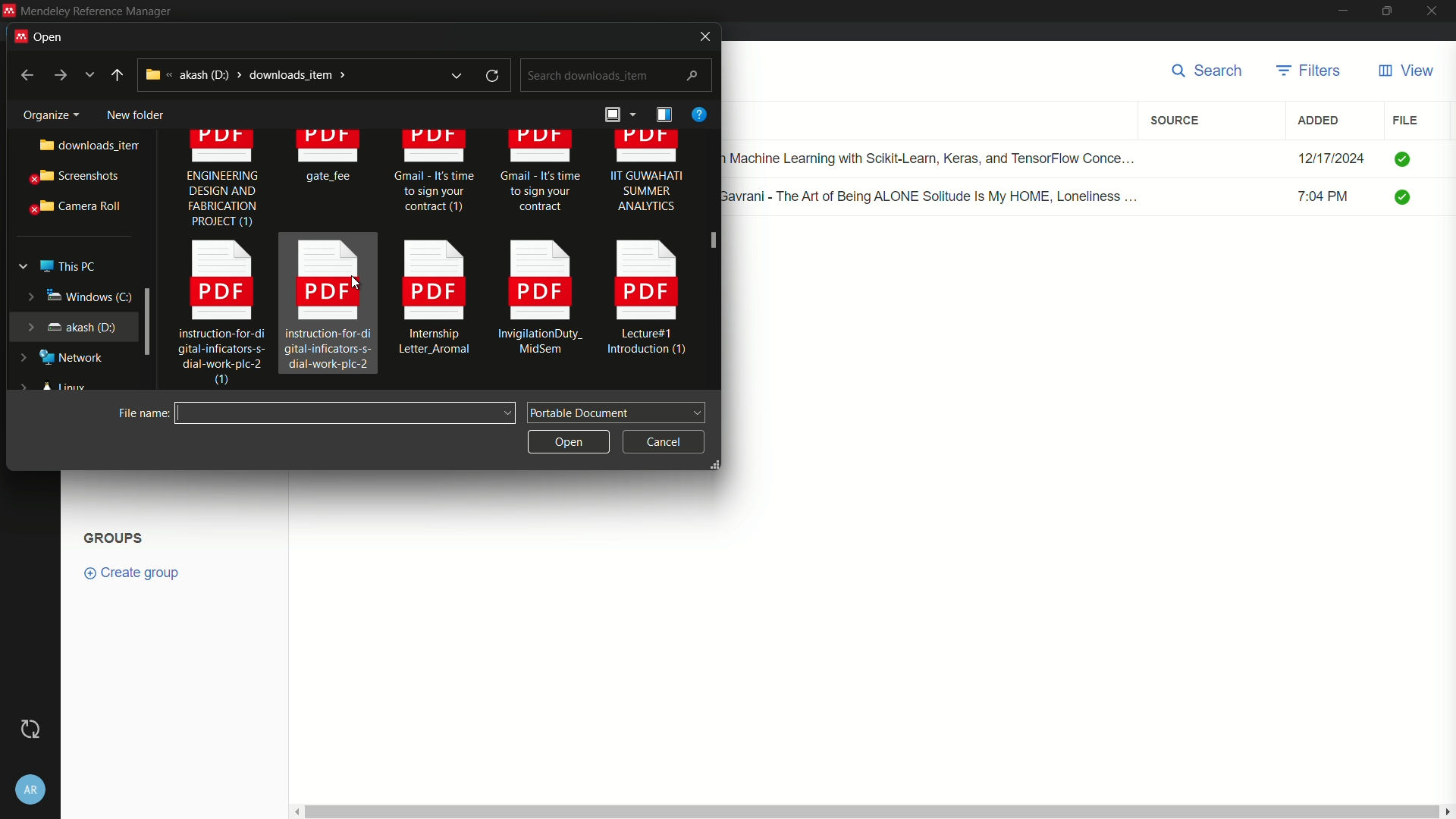  Describe the element at coordinates (713, 261) in the screenshot. I see `scroll bar` at that location.